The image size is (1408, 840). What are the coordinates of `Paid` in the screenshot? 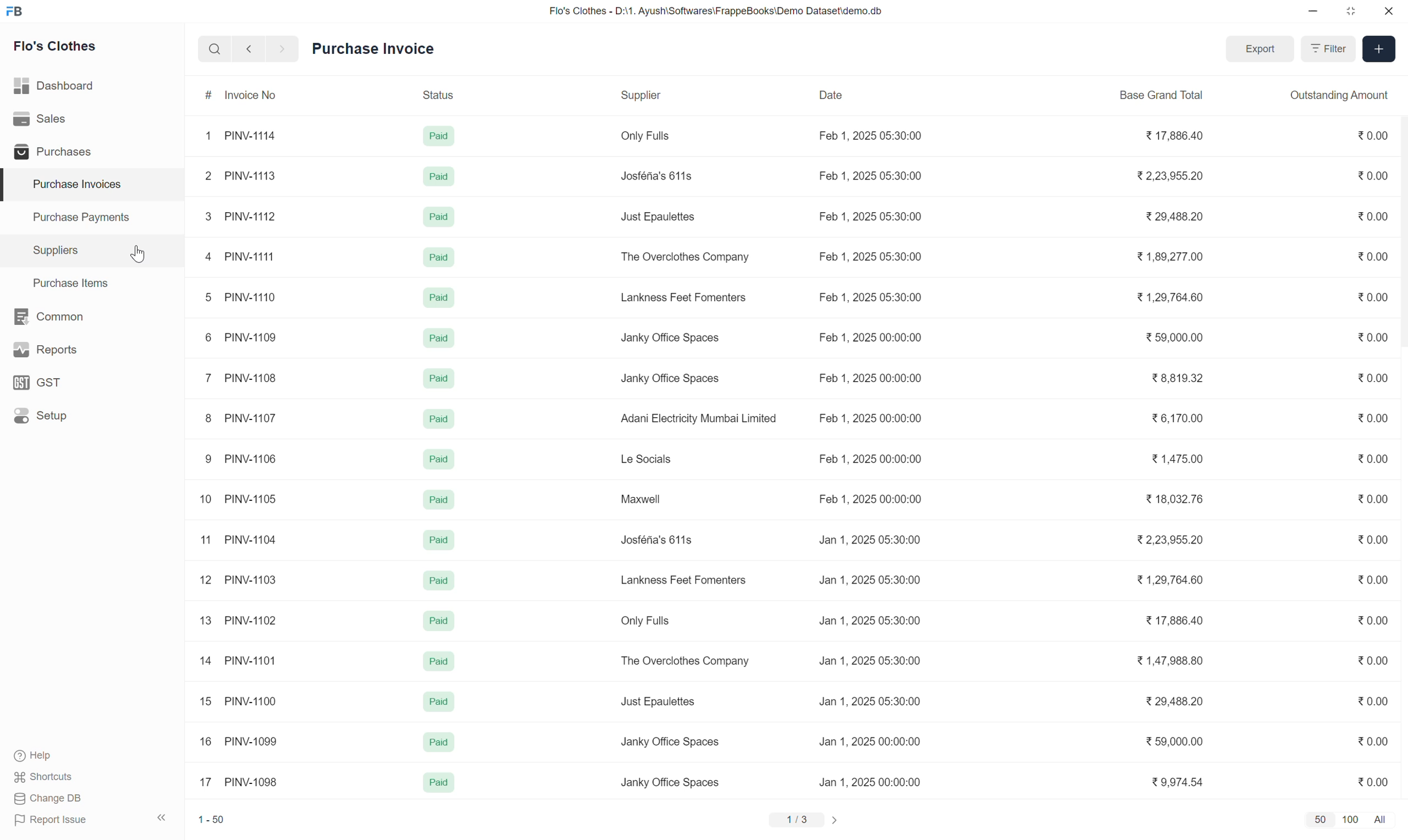 It's located at (437, 177).